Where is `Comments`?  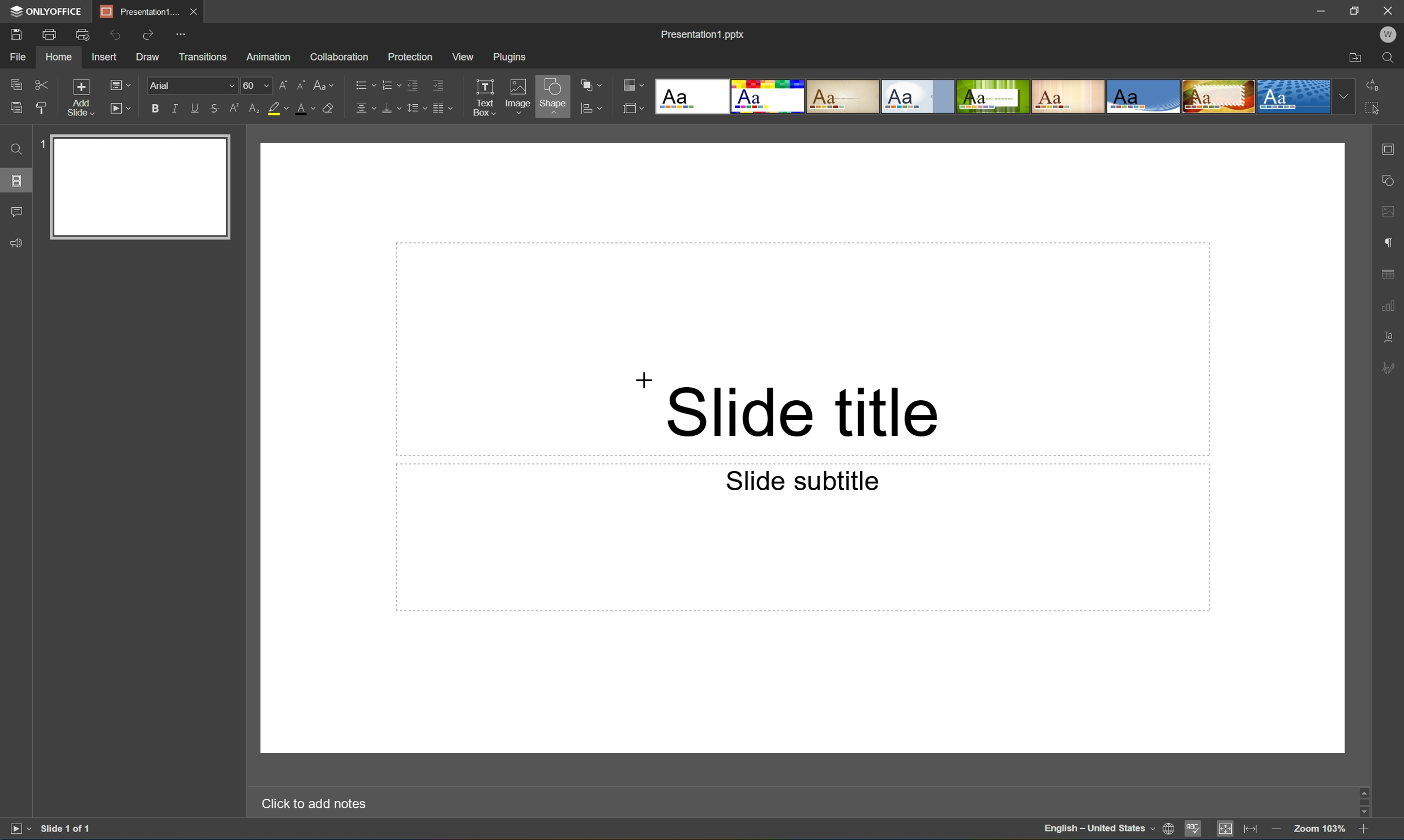
Comments is located at coordinates (17, 212).